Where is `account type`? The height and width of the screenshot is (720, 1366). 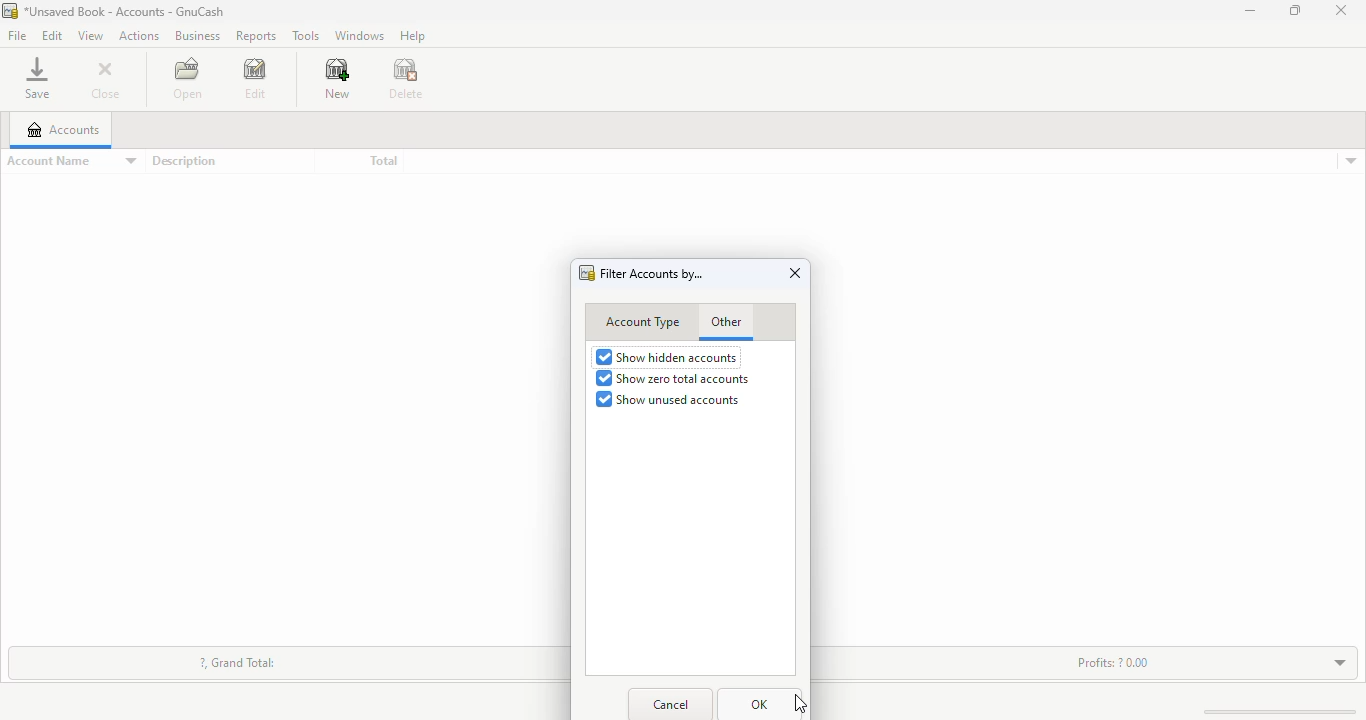 account type is located at coordinates (642, 322).